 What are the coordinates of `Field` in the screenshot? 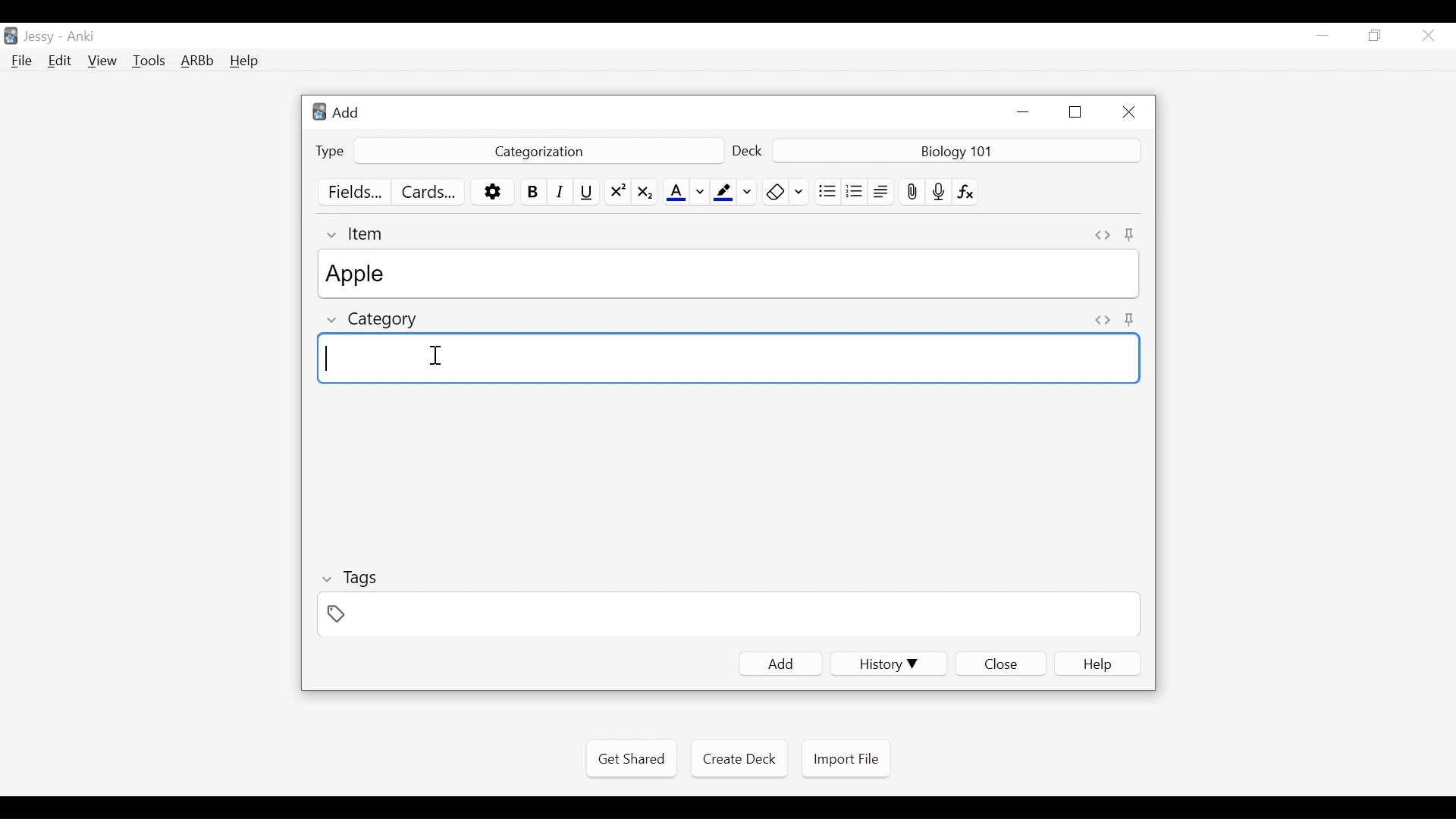 It's located at (726, 613).